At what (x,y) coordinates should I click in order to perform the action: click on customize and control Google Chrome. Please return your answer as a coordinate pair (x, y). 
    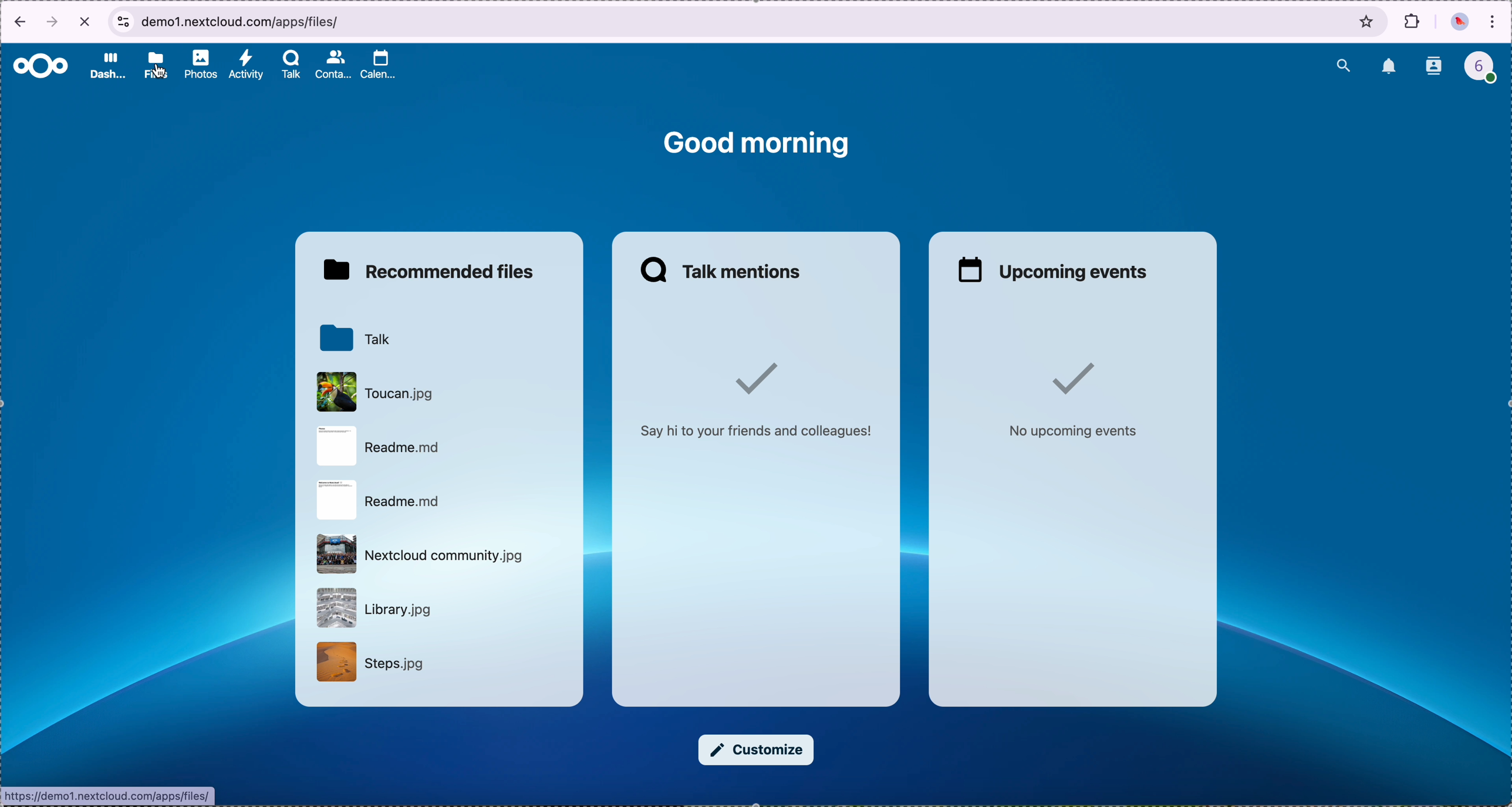
    Looking at the image, I should click on (1493, 23).